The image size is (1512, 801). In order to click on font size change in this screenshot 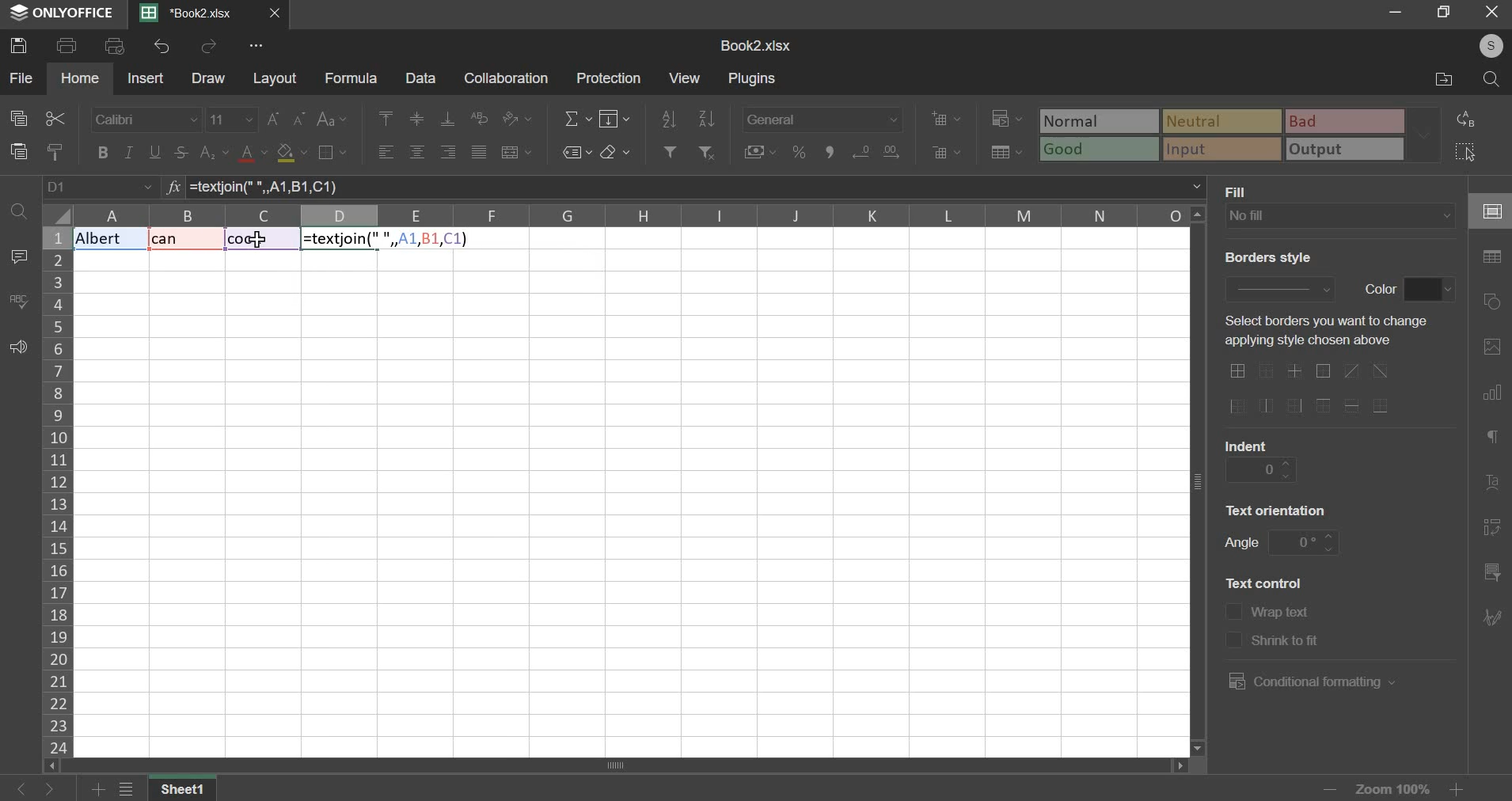, I will do `click(288, 119)`.